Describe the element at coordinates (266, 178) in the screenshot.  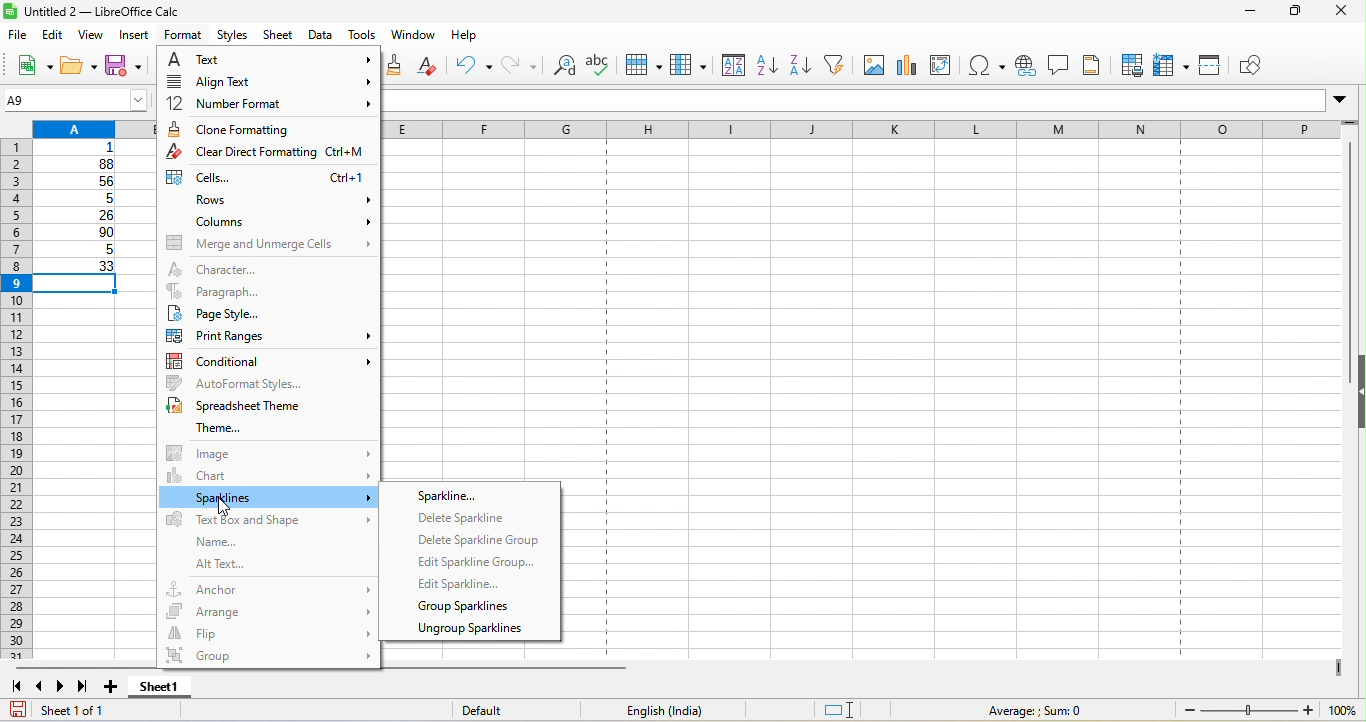
I see `cells Ctrl+1` at that location.